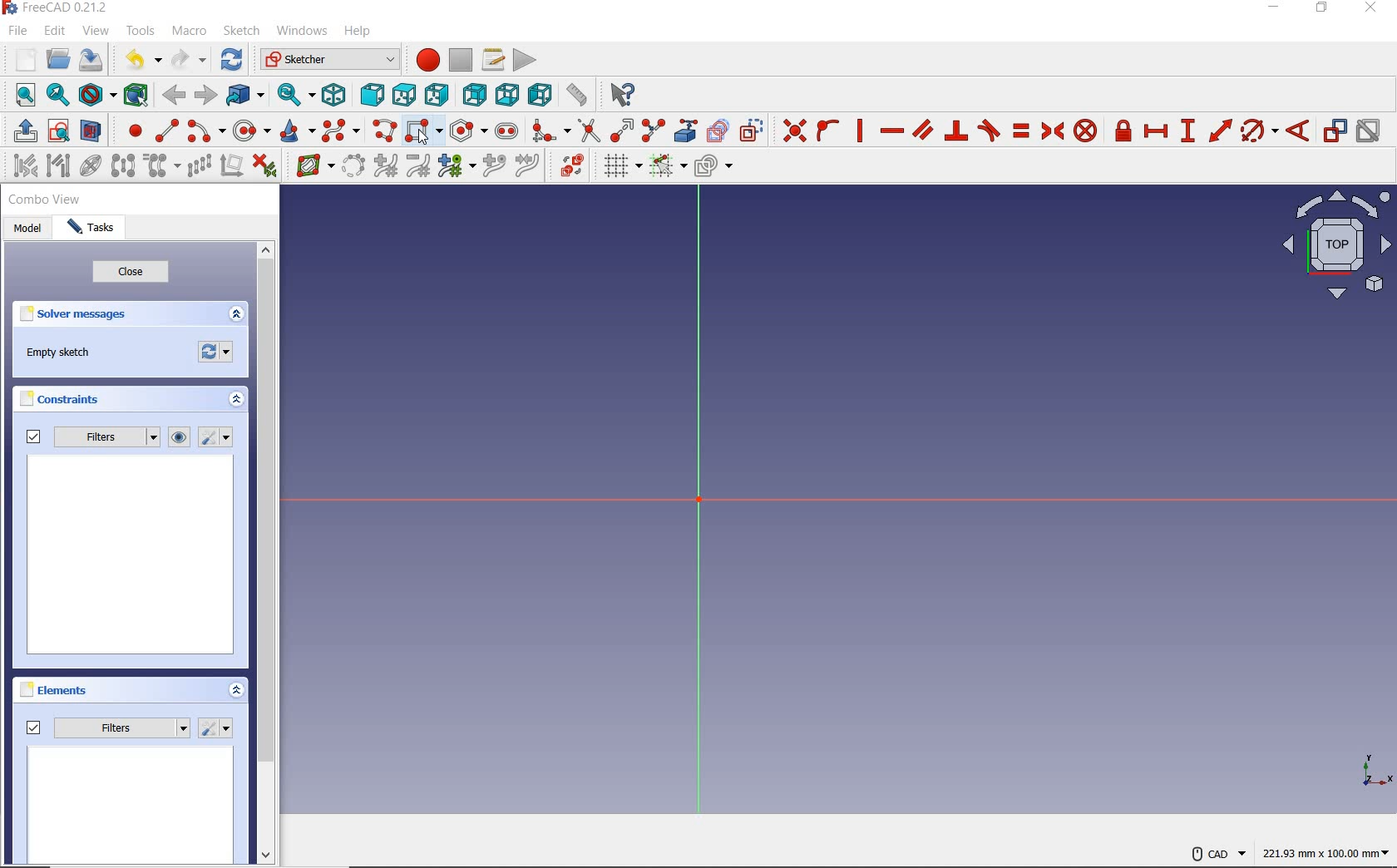  I want to click on split edge, so click(655, 128).